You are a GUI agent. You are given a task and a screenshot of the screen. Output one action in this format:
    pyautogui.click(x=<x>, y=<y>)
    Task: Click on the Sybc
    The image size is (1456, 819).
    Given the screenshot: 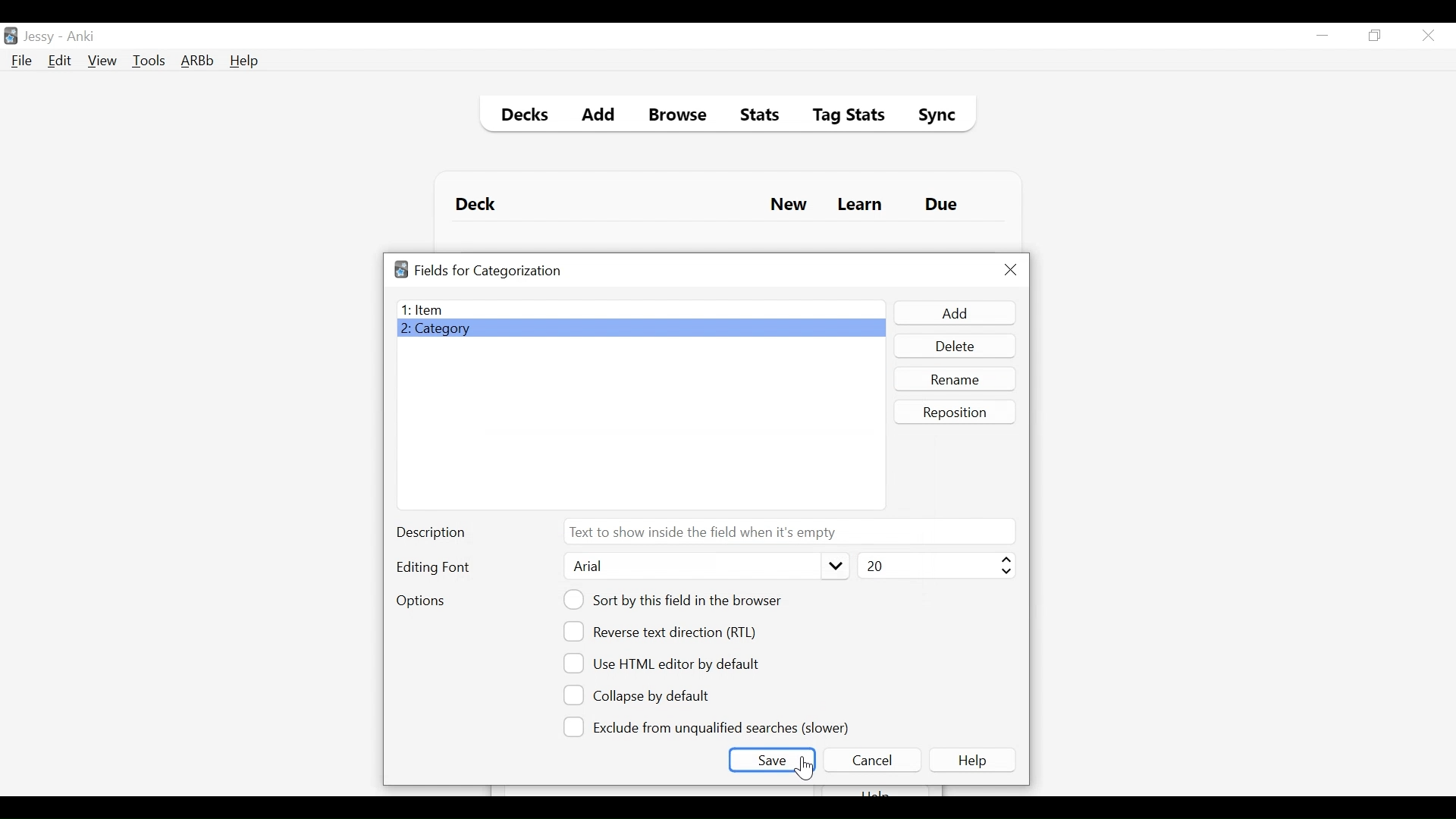 What is the action you would take?
    pyautogui.click(x=931, y=117)
    